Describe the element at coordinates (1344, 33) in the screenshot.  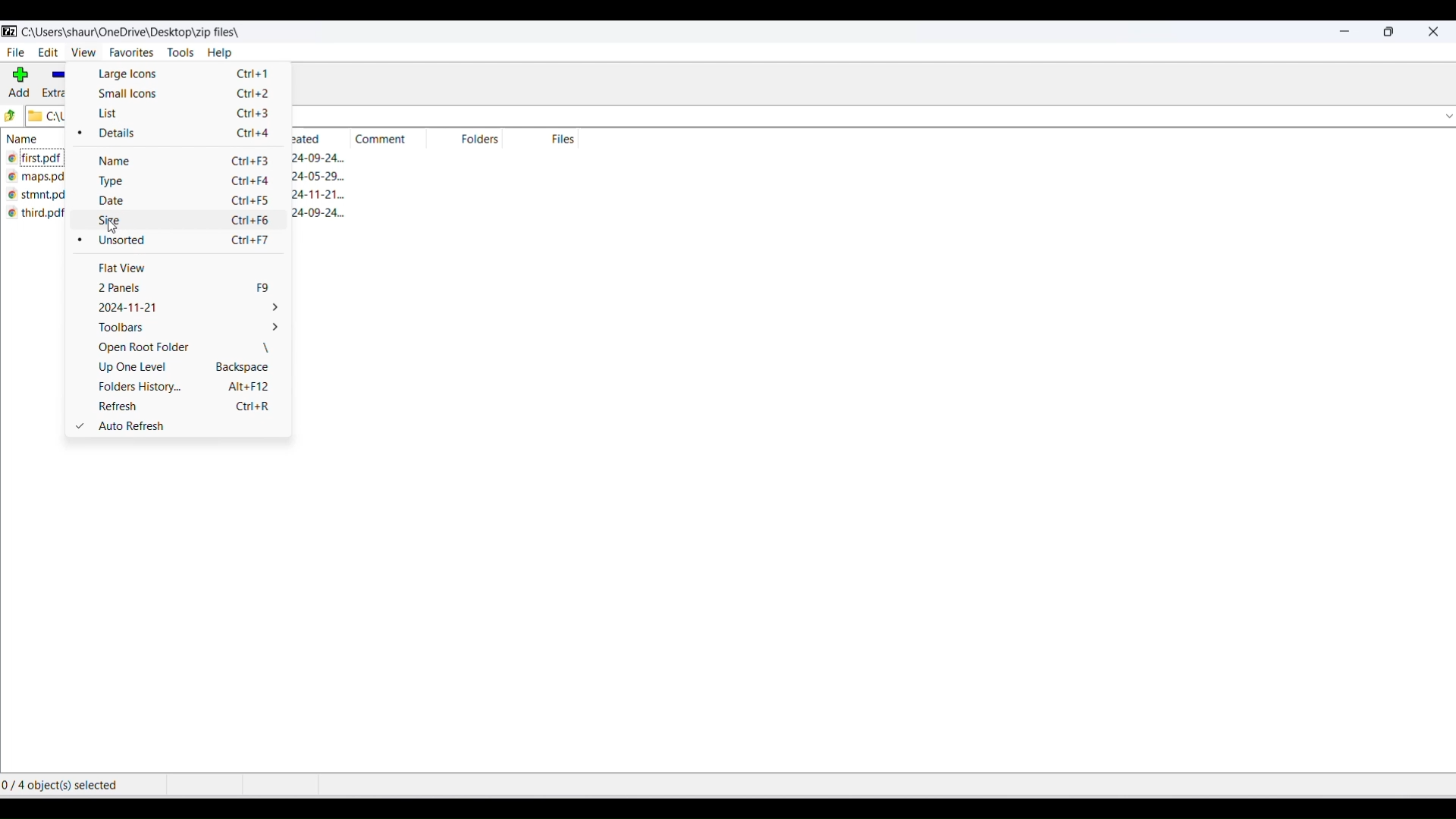
I see `minimize` at that location.